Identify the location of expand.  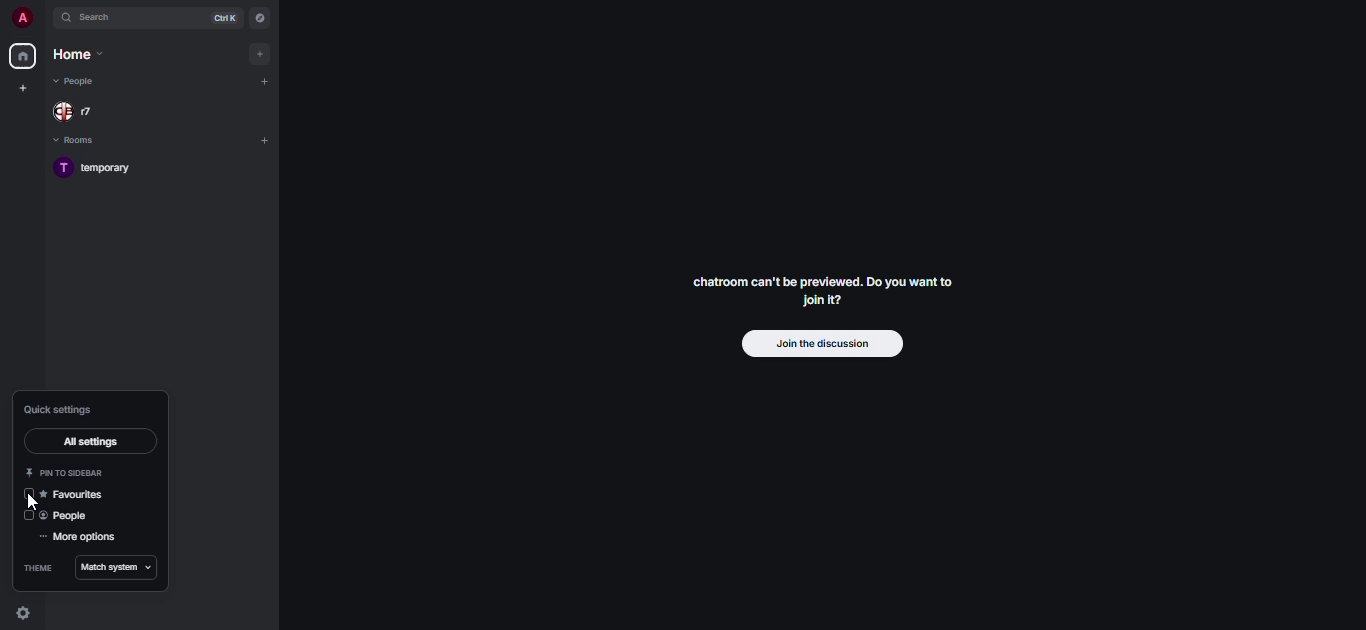
(45, 18).